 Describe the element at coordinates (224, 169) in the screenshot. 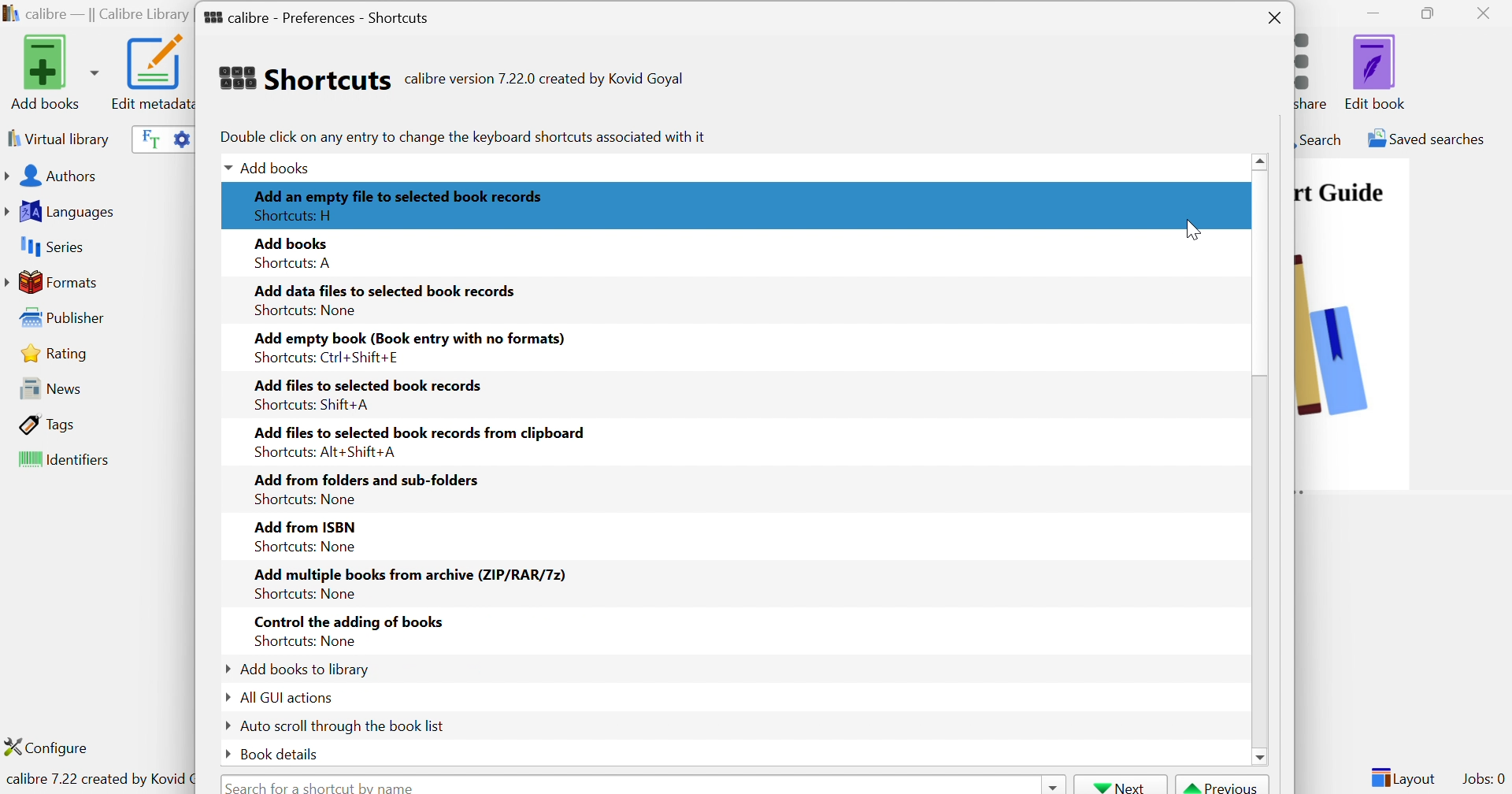

I see `Drop Down` at that location.